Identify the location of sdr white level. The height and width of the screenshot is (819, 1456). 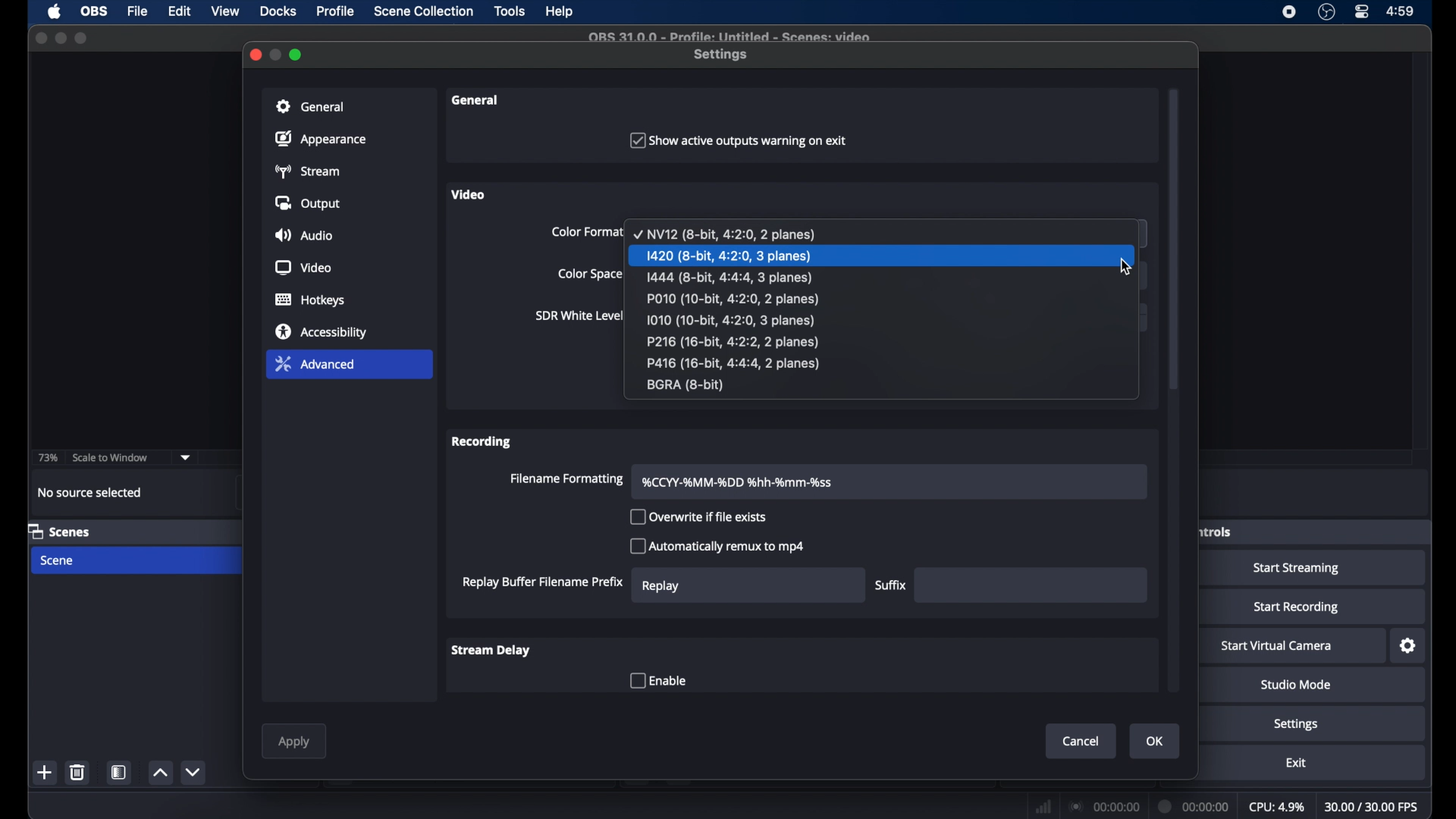
(579, 317).